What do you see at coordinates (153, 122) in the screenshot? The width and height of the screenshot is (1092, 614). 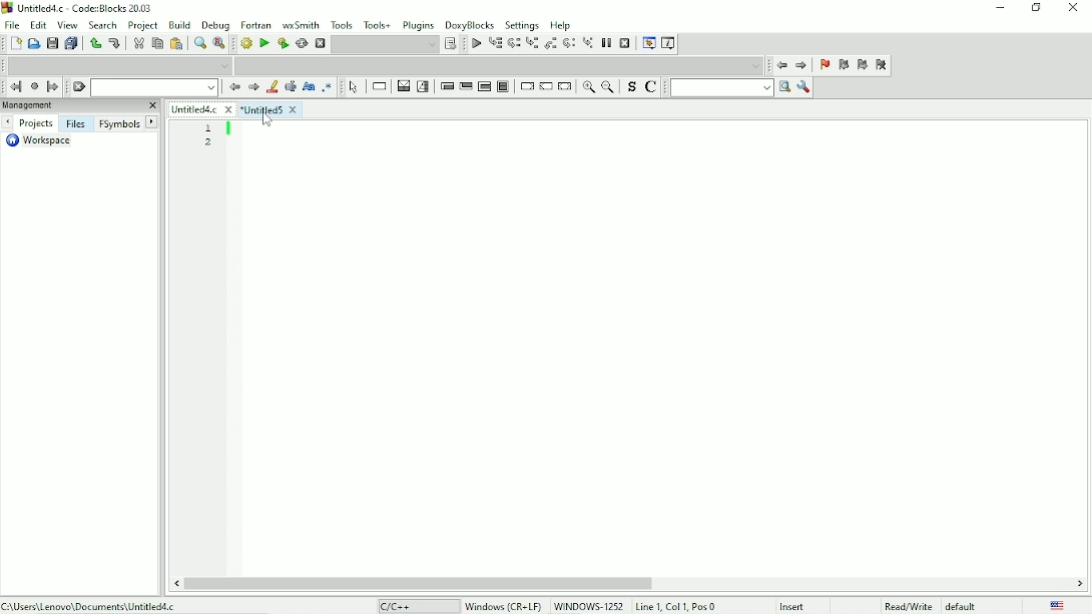 I see `Next` at bounding box center [153, 122].